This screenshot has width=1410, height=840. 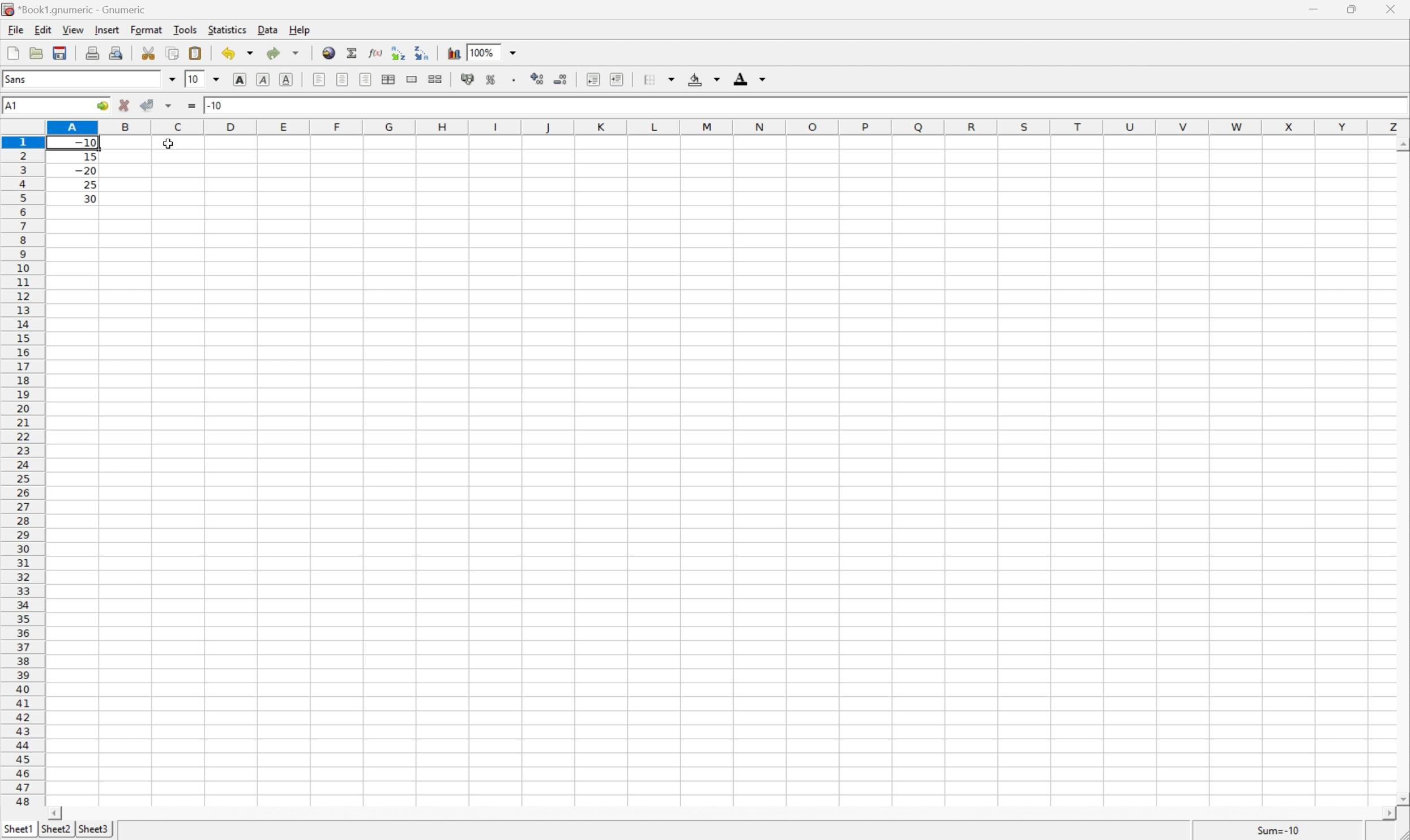 What do you see at coordinates (695, 80) in the screenshot?
I see `Background` at bounding box center [695, 80].